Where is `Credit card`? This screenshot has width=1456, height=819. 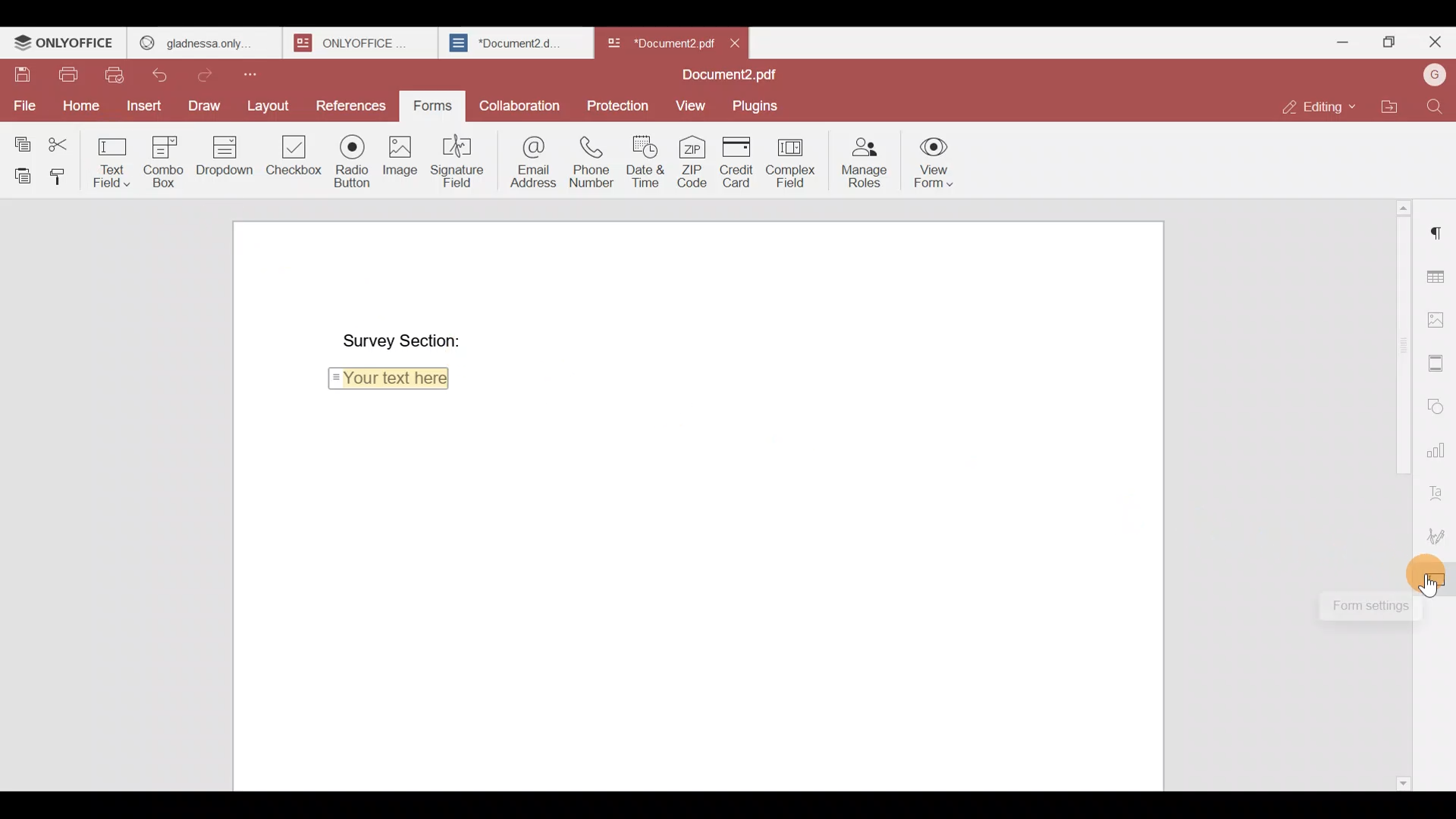
Credit card is located at coordinates (739, 162).